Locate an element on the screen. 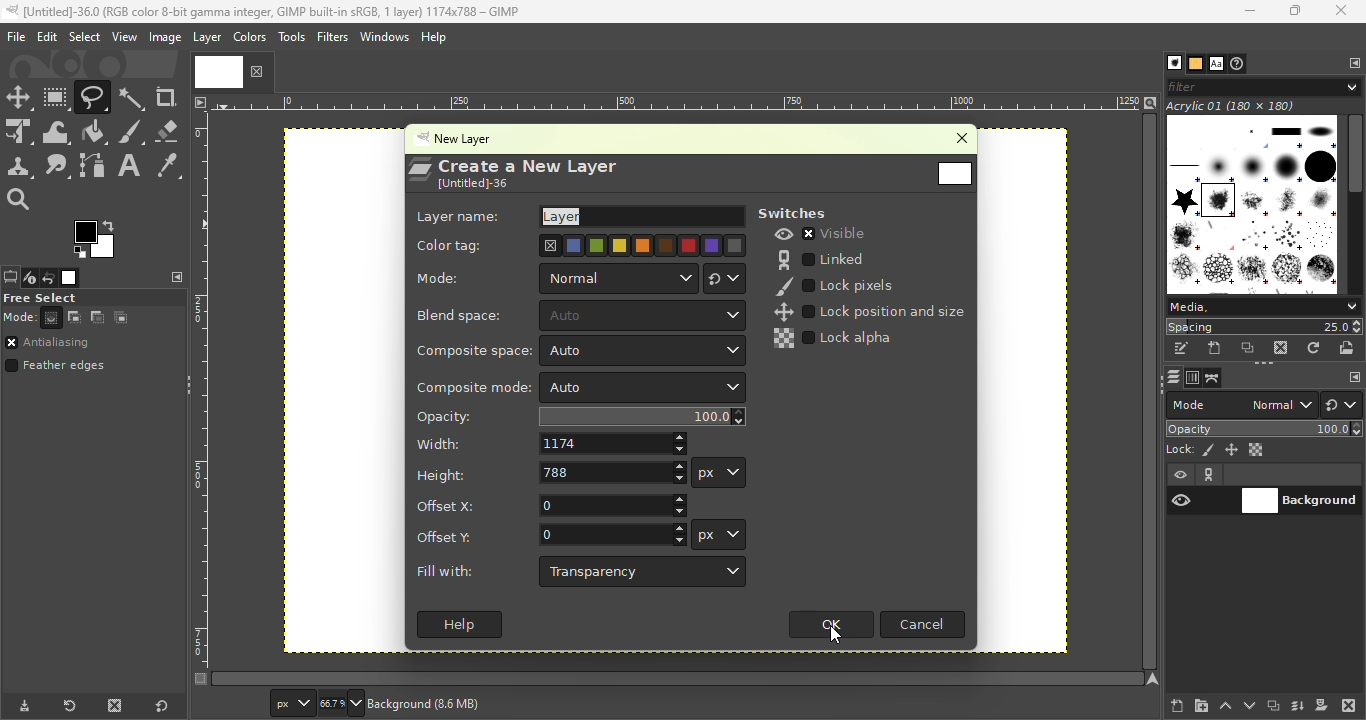 This screenshot has height=720, width=1366. Paths is located at coordinates (1213, 378).